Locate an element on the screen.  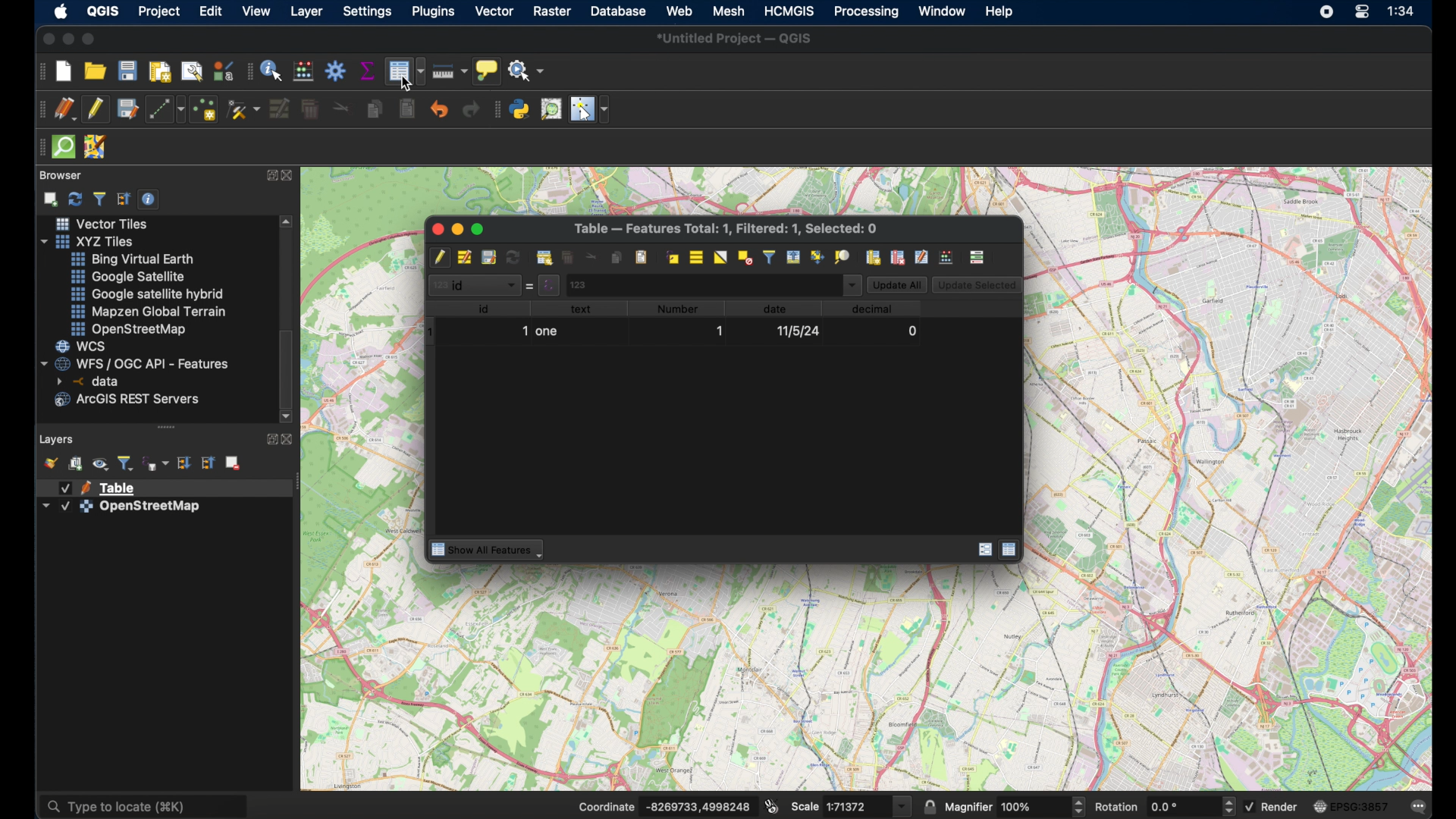
drag handle is located at coordinates (38, 149).